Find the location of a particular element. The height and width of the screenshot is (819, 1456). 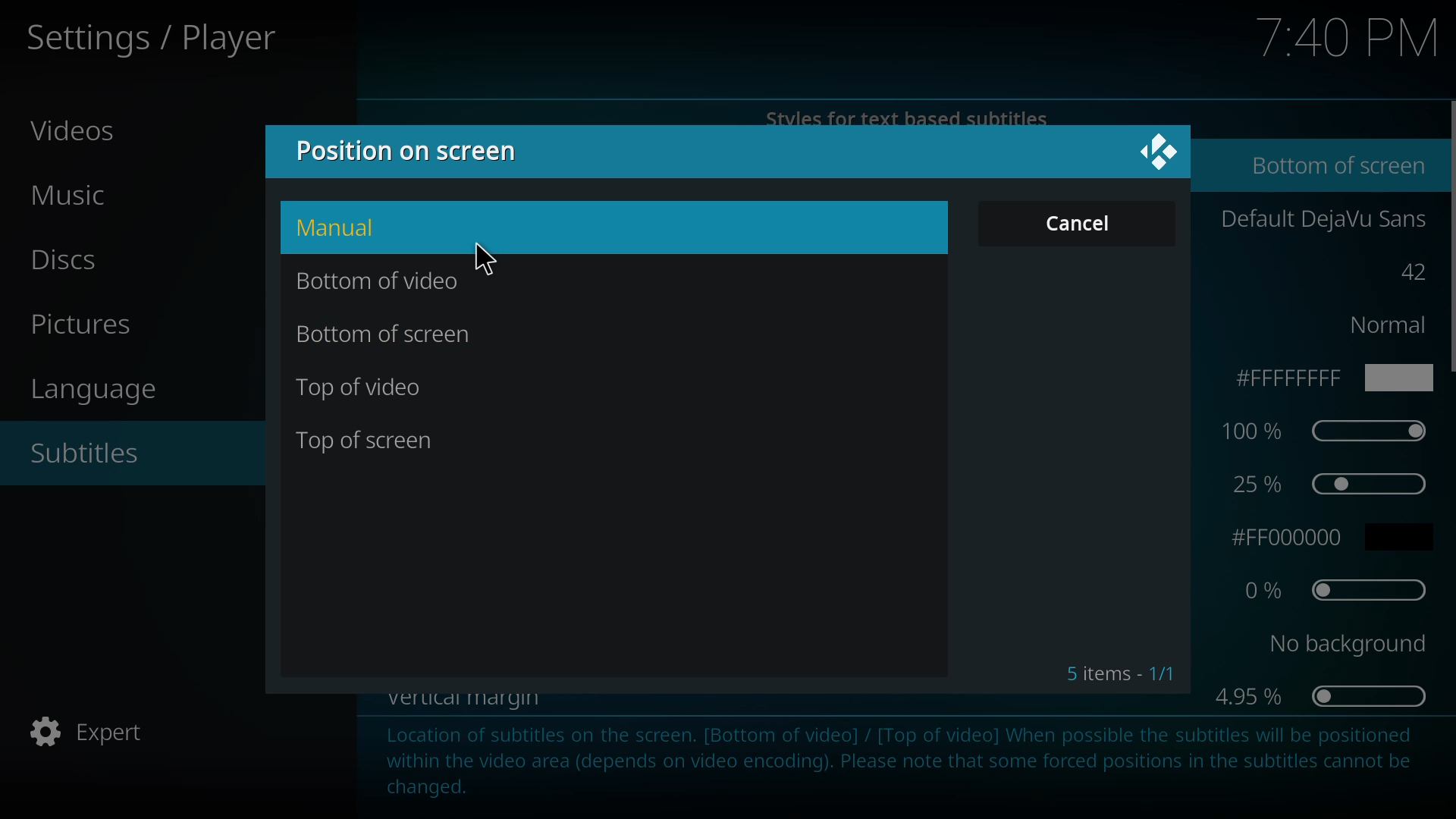

cursor is located at coordinates (488, 256).